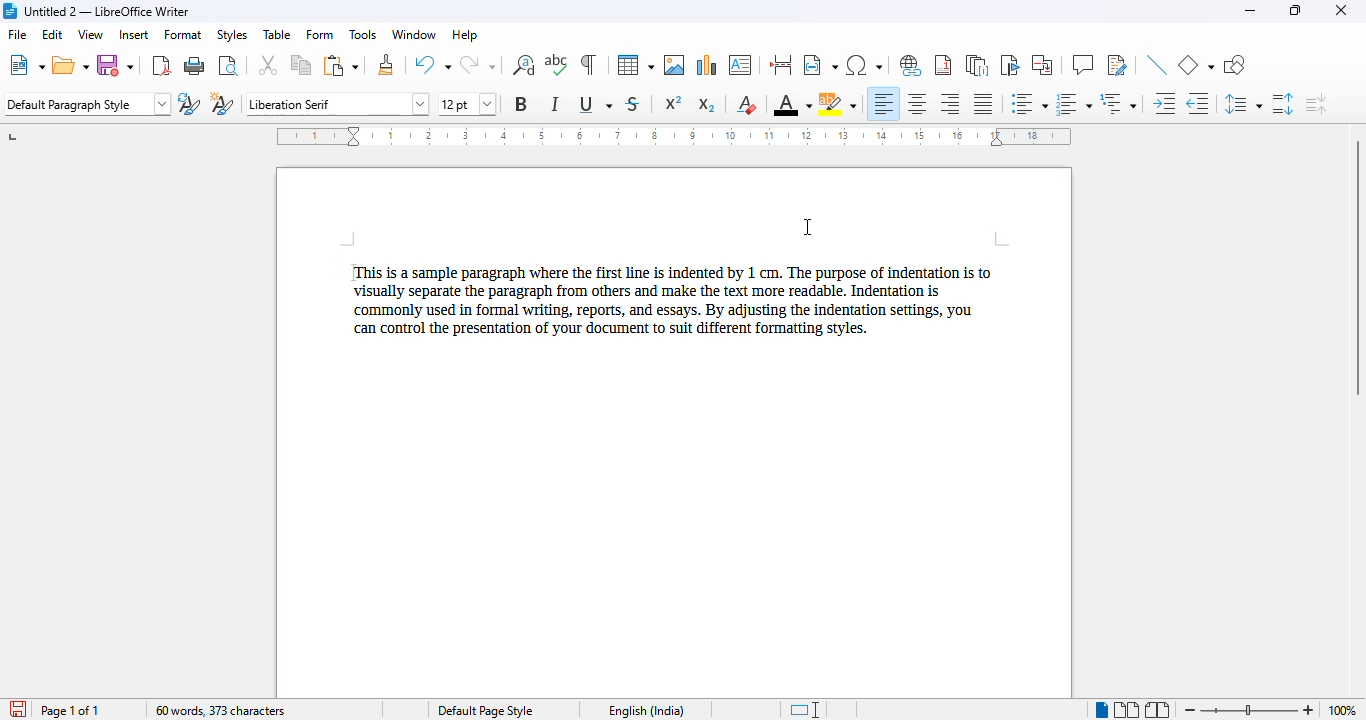  I want to click on table, so click(635, 65).